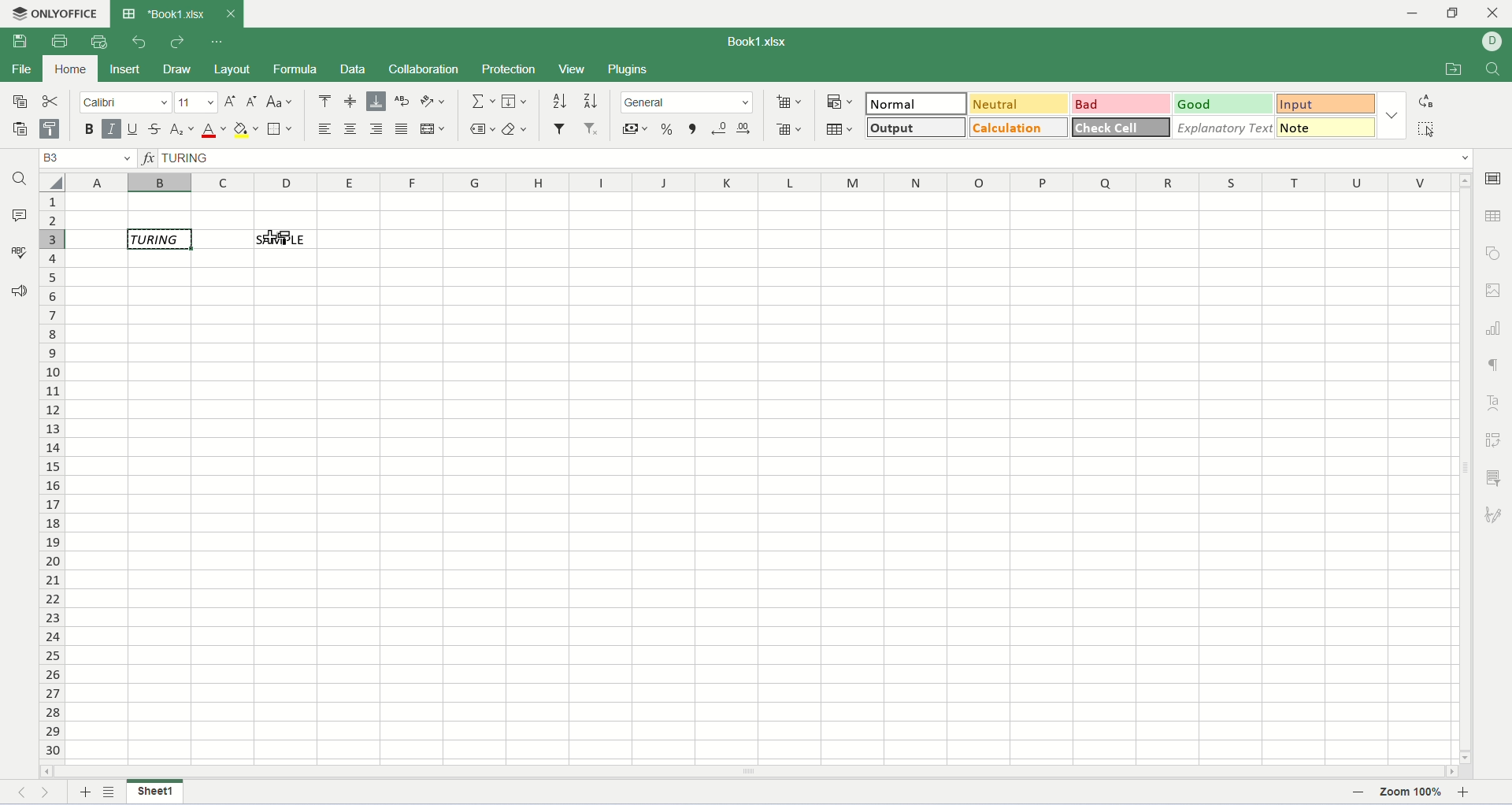 This screenshot has height=805, width=1512. I want to click on remove cell, so click(791, 130).